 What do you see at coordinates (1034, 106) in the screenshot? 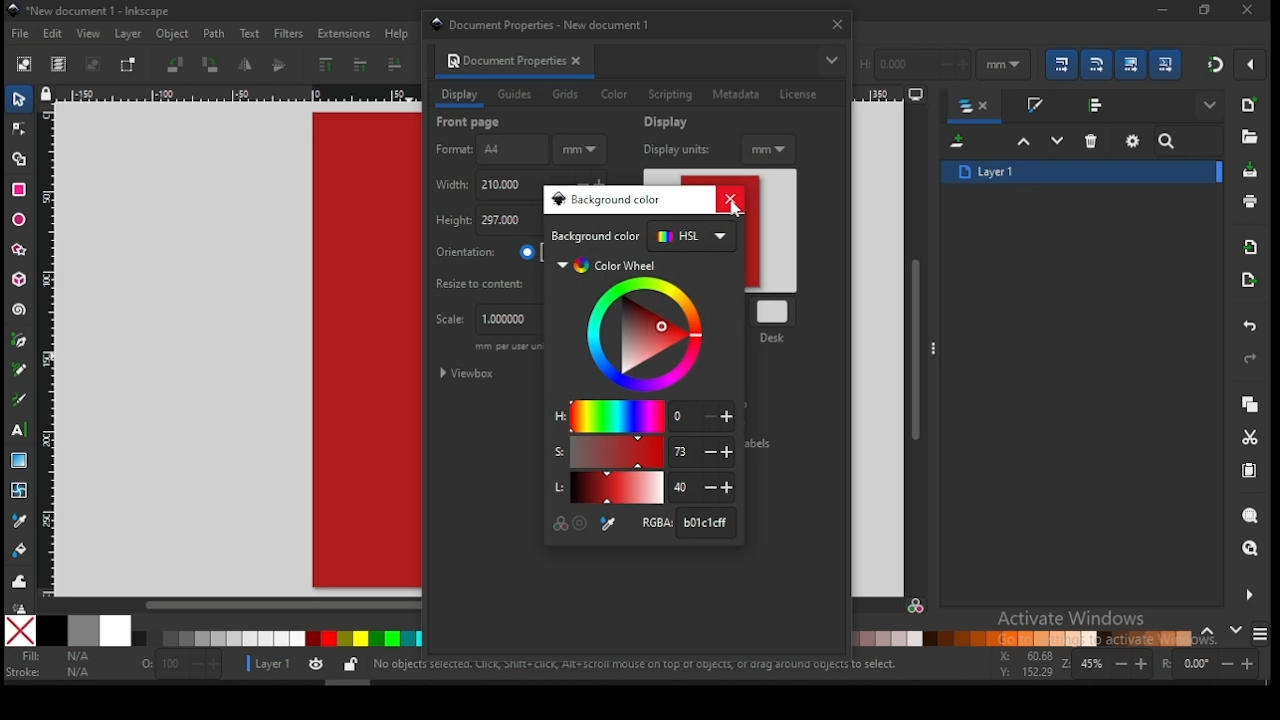
I see `stroke and fill` at bounding box center [1034, 106].